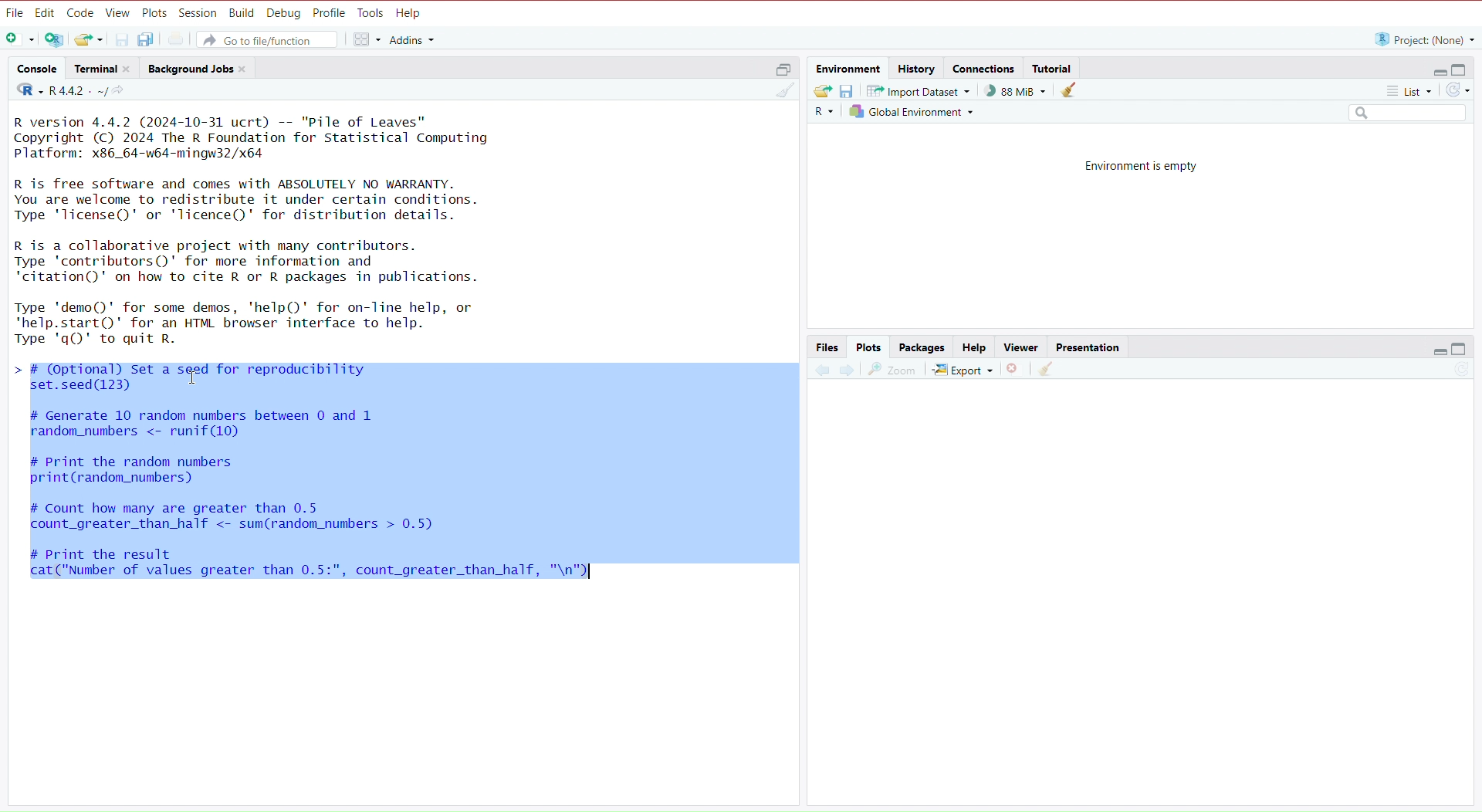 The height and width of the screenshot is (812, 1482). Describe the element at coordinates (1089, 347) in the screenshot. I see `Presentation` at that location.